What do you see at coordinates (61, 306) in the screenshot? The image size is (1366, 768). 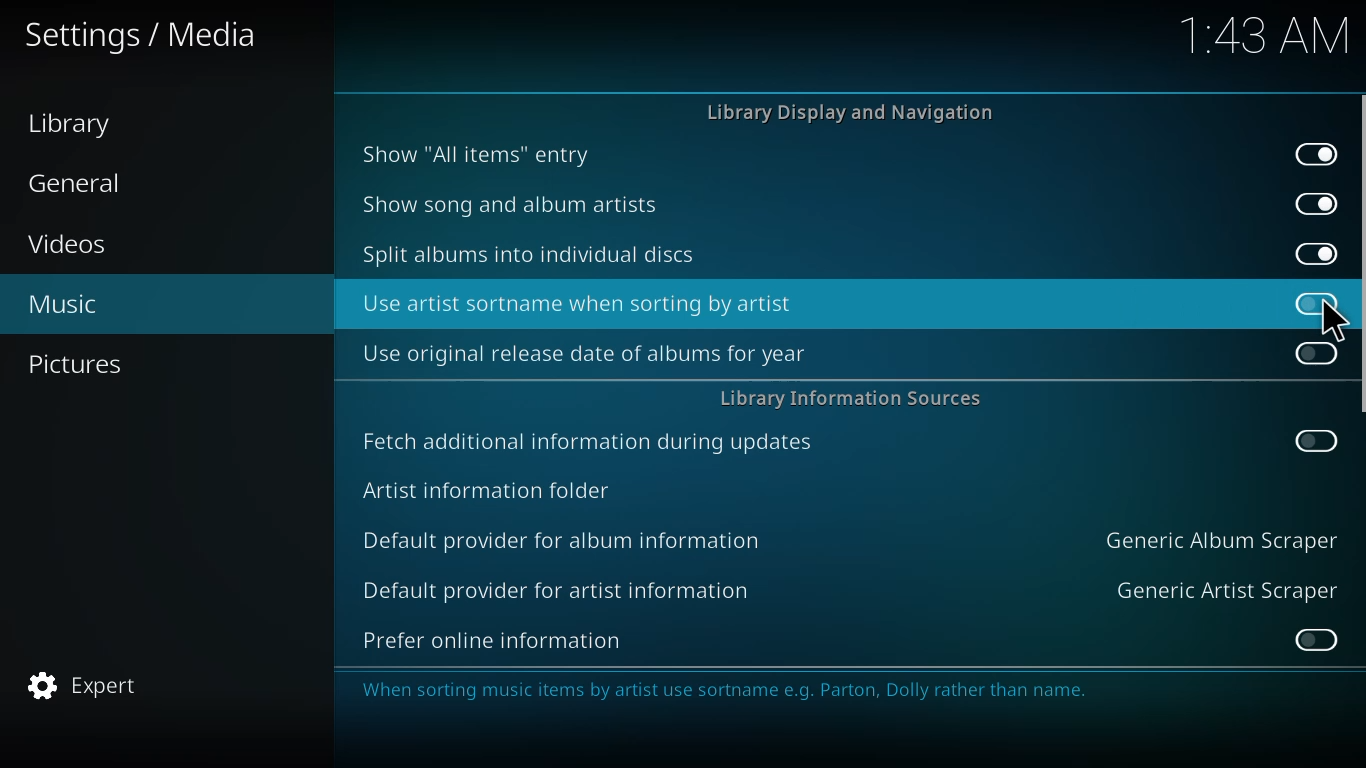 I see `music` at bounding box center [61, 306].